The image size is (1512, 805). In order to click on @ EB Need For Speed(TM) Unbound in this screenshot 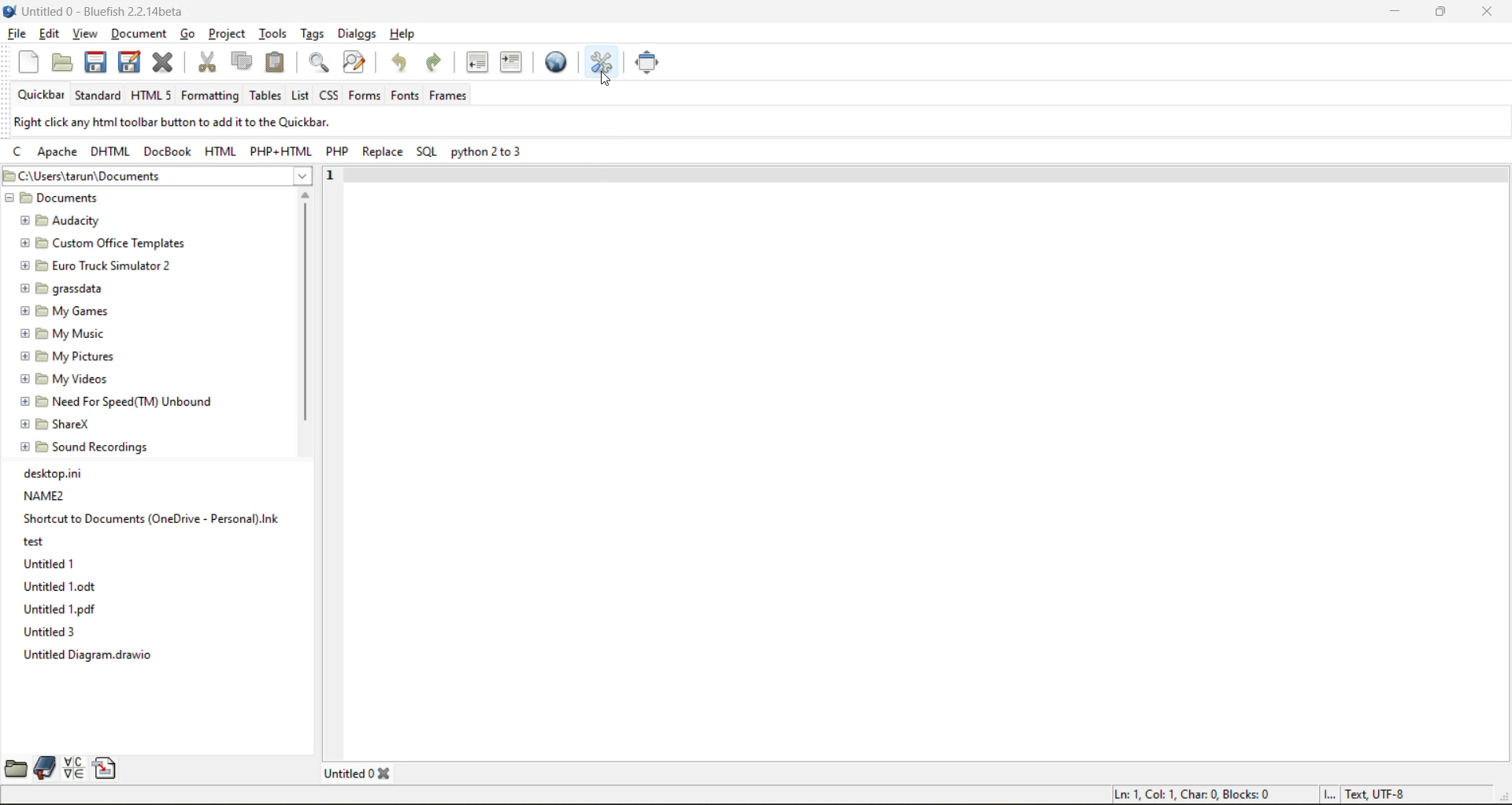, I will do `click(119, 399)`.